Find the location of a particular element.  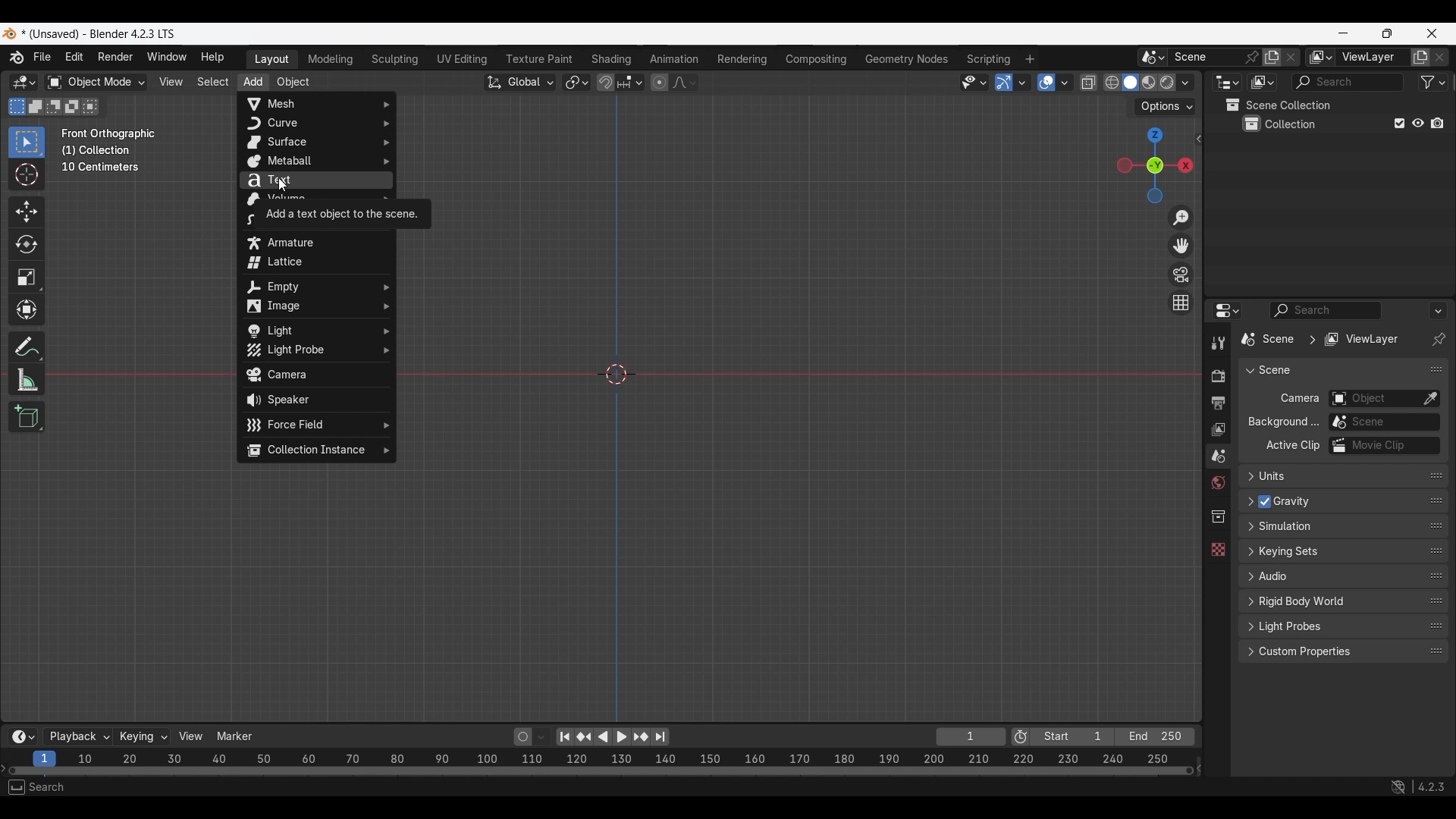

Change order in the list is located at coordinates (1436, 369).